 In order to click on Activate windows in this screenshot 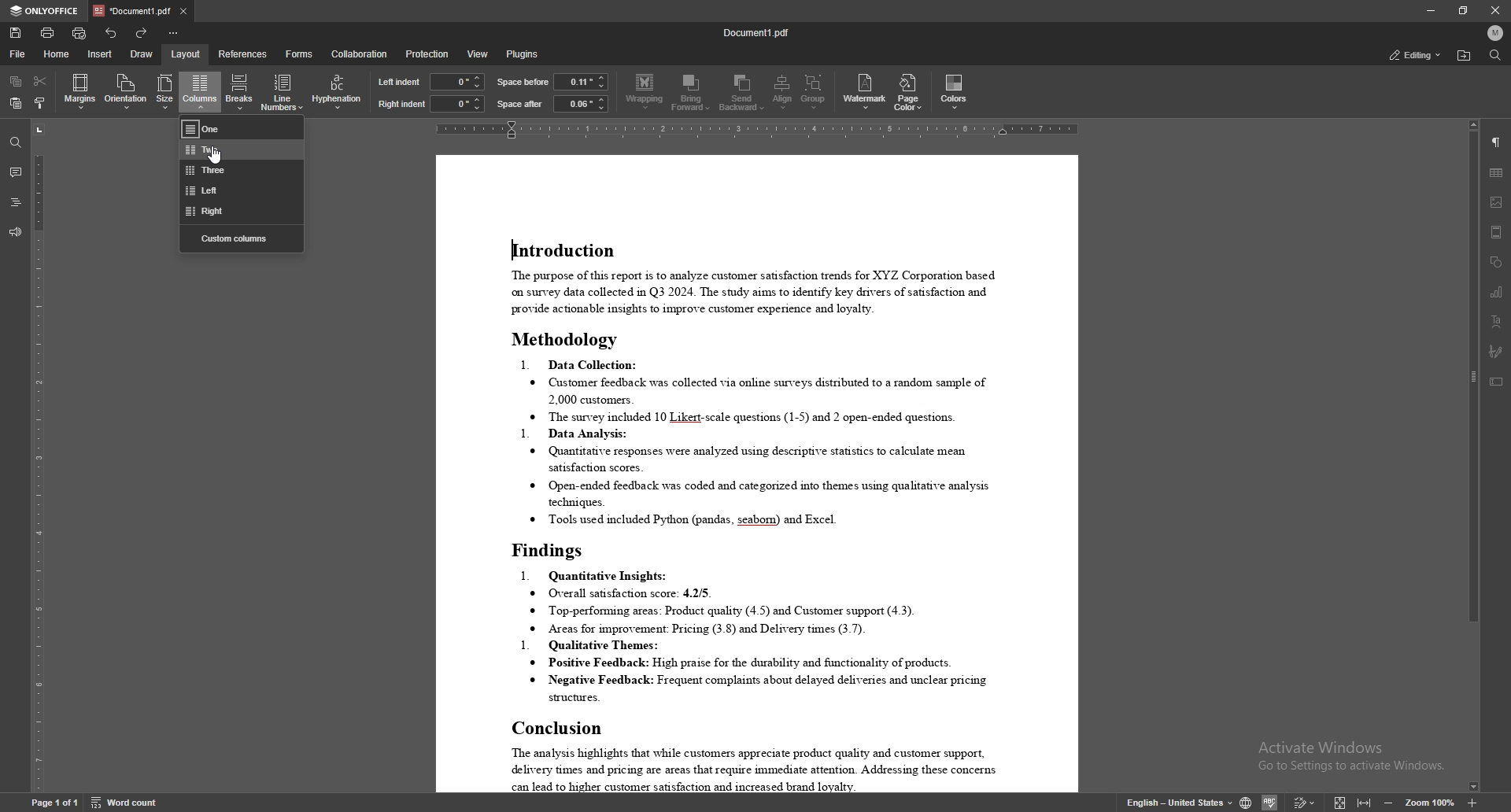, I will do `click(1347, 758)`.